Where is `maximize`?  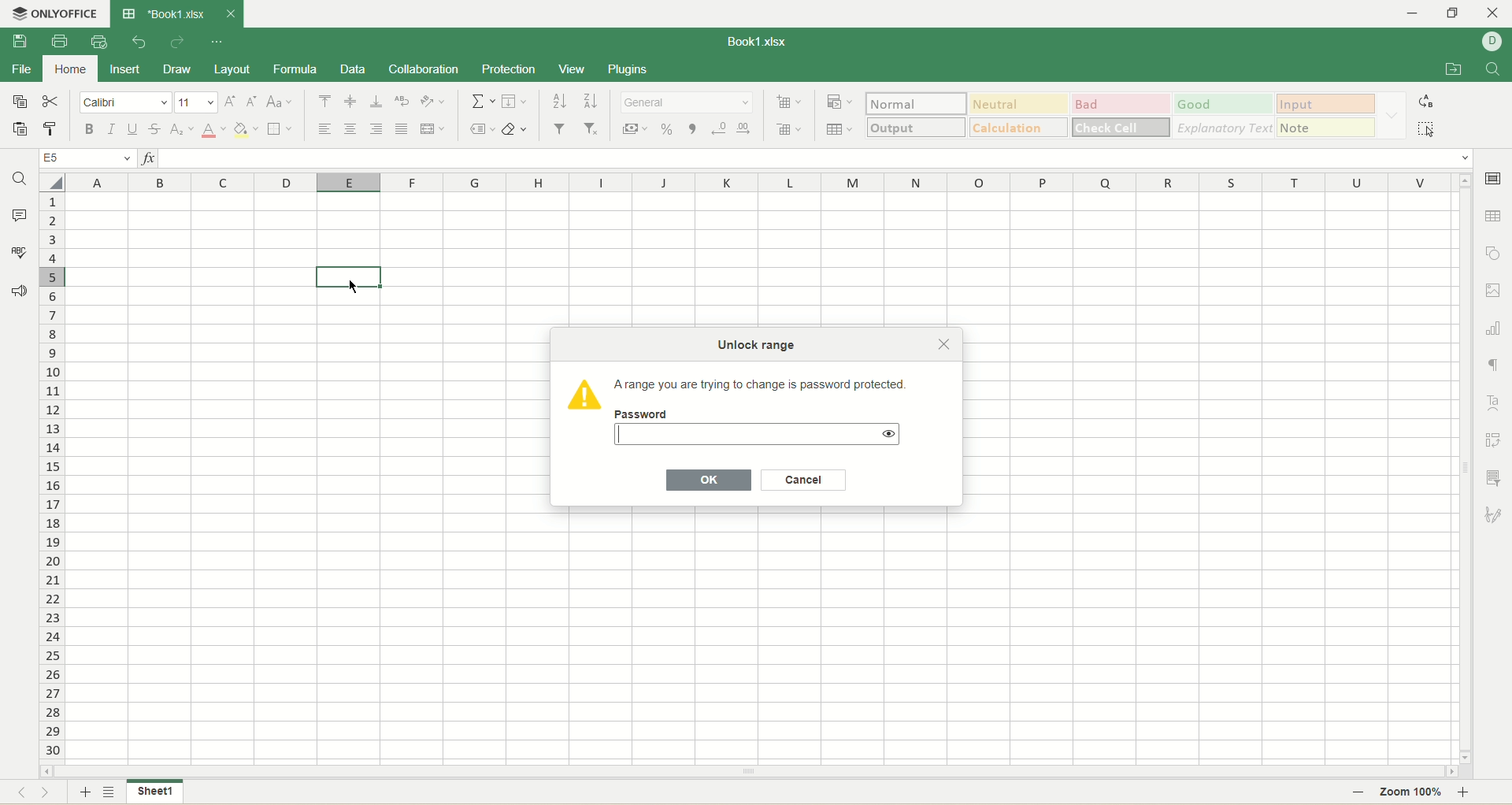 maximize is located at coordinates (1451, 13).